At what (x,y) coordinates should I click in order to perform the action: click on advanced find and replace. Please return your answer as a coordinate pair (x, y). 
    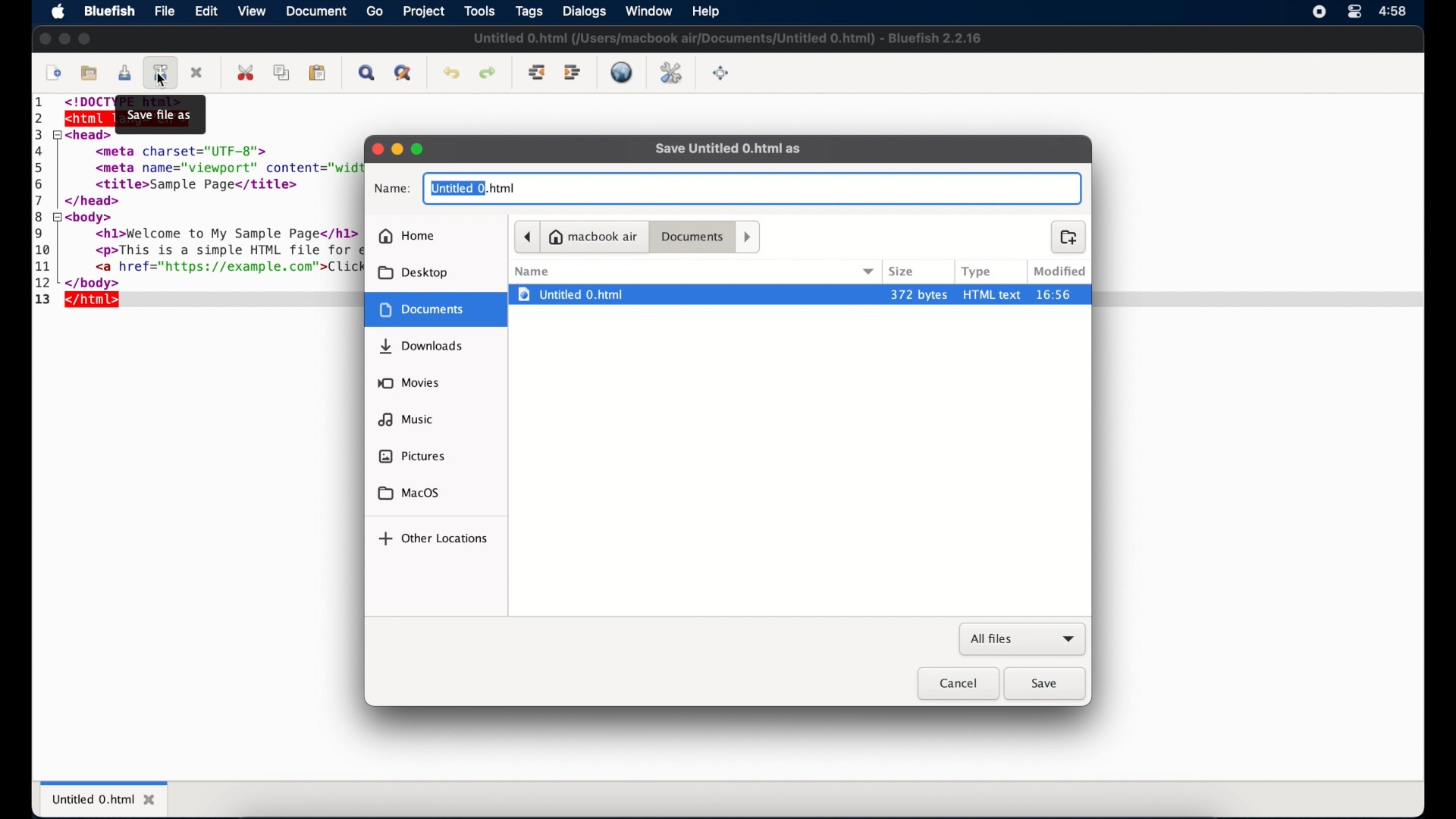
    Looking at the image, I should click on (404, 74).